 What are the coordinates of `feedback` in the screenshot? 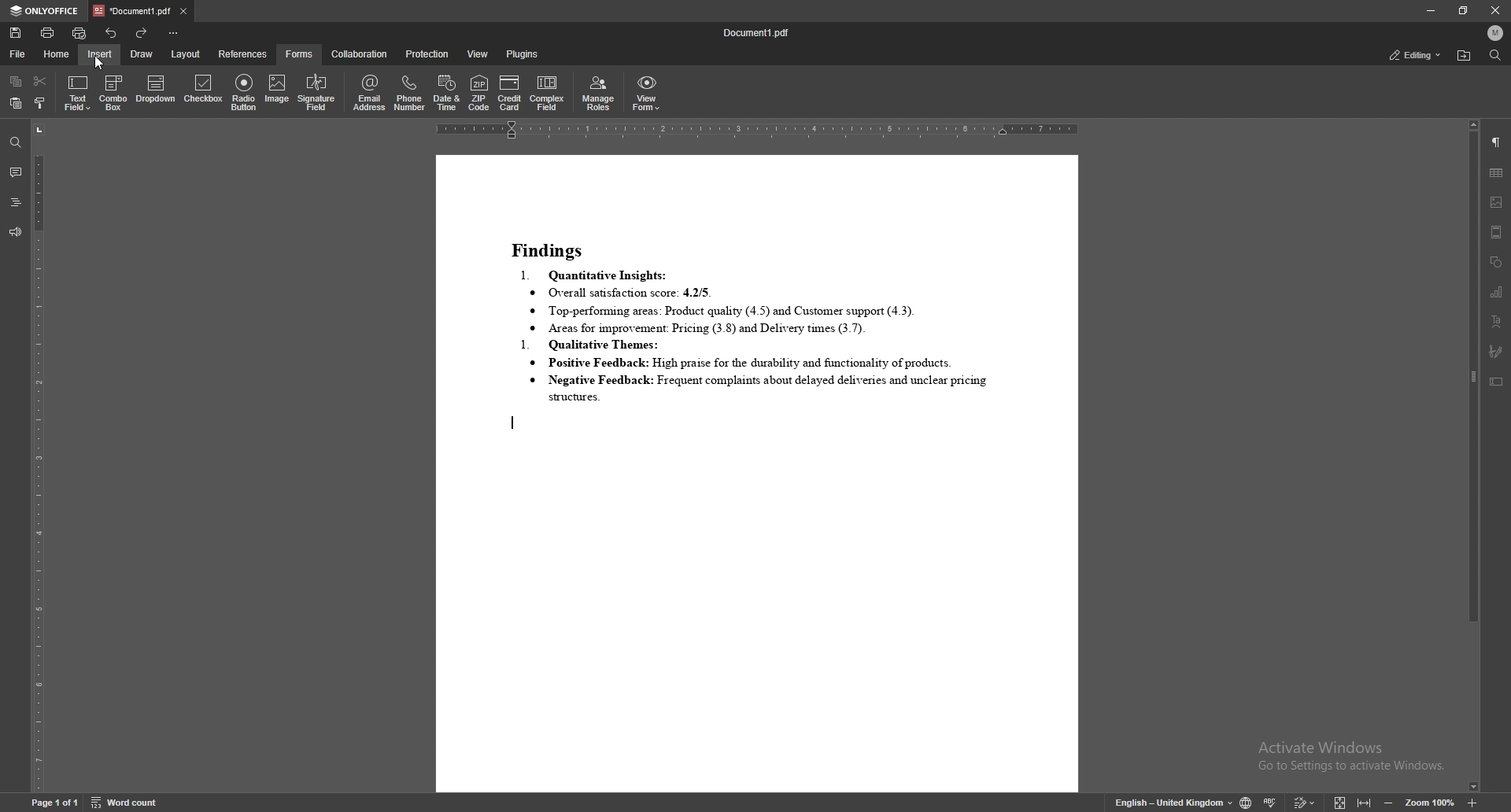 It's located at (14, 233).